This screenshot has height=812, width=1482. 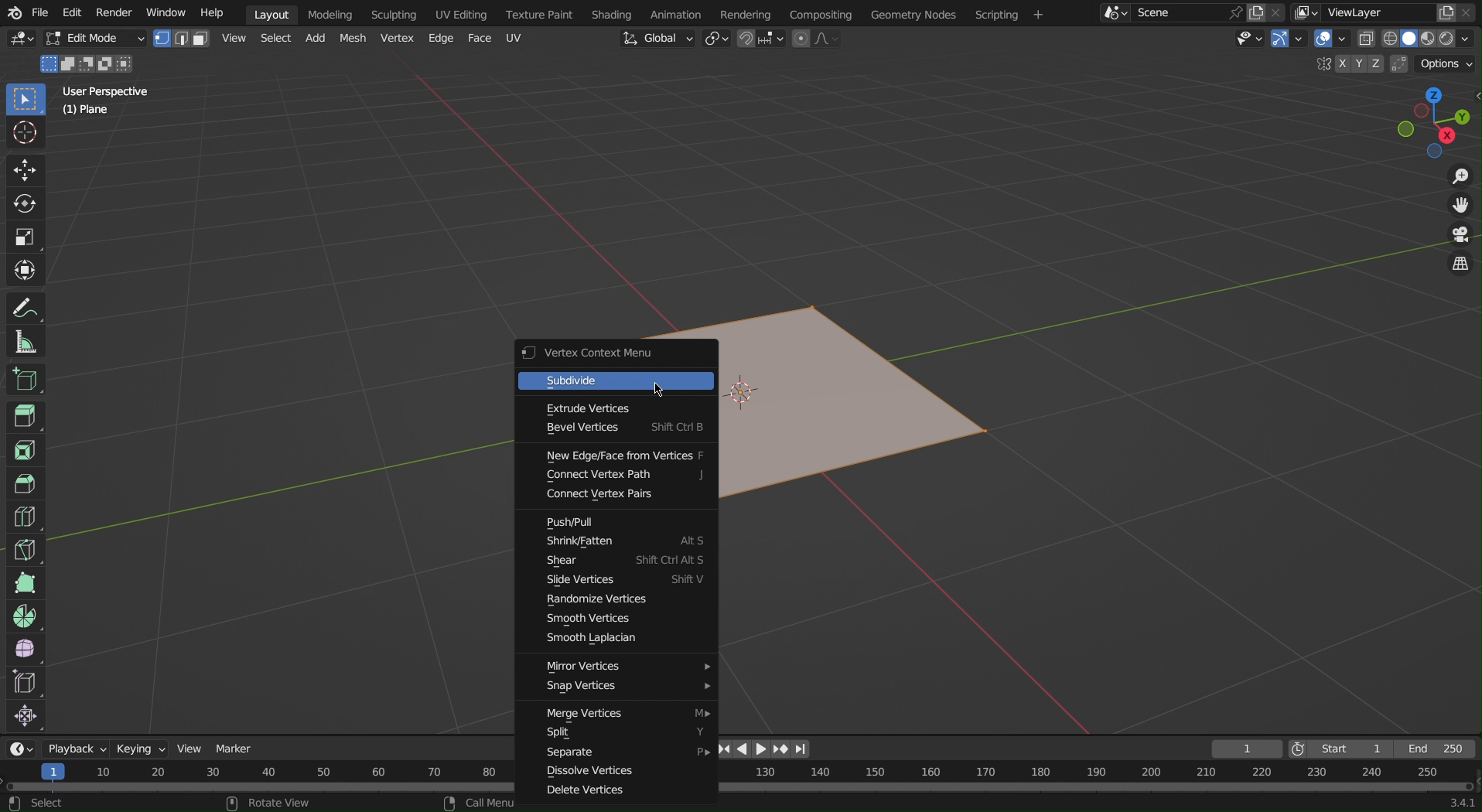 I want to click on UV, so click(x=514, y=37).